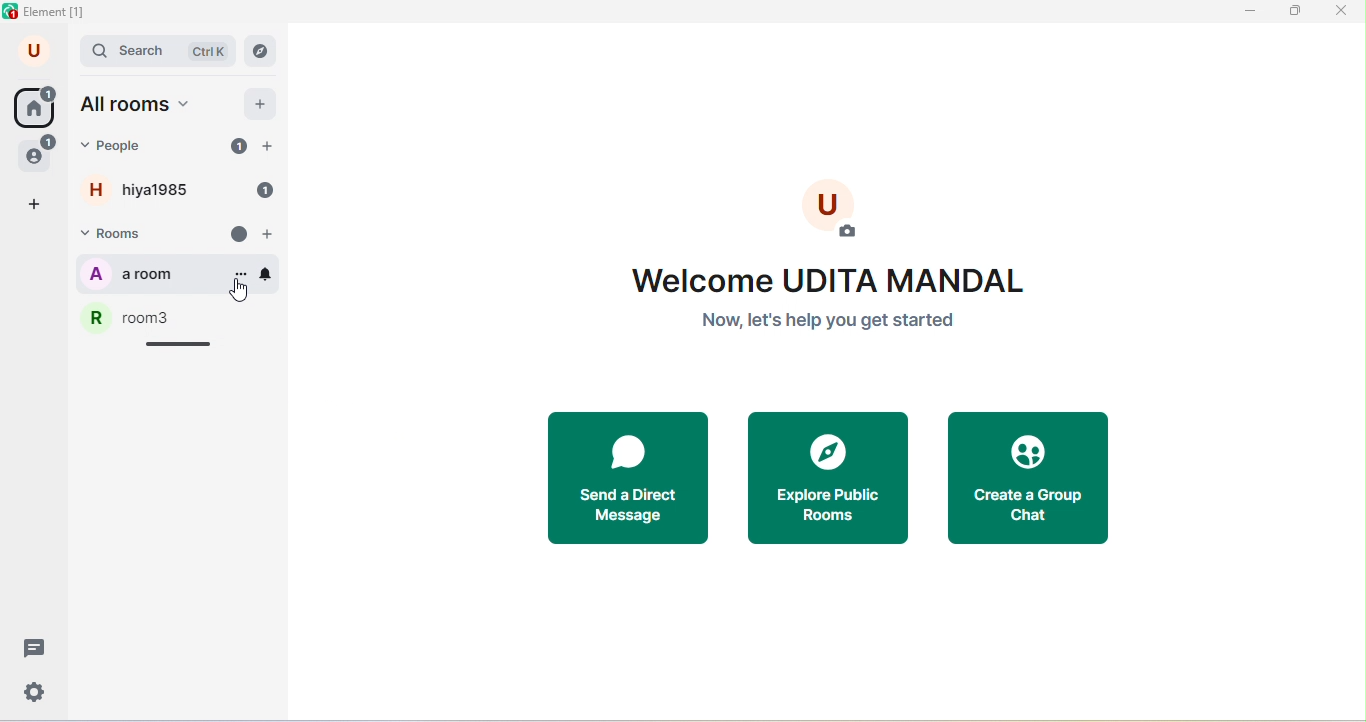  What do you see at coordinates (834, 303) in the screenshot?
I see `welcome text` at bounding box center [834, 303].